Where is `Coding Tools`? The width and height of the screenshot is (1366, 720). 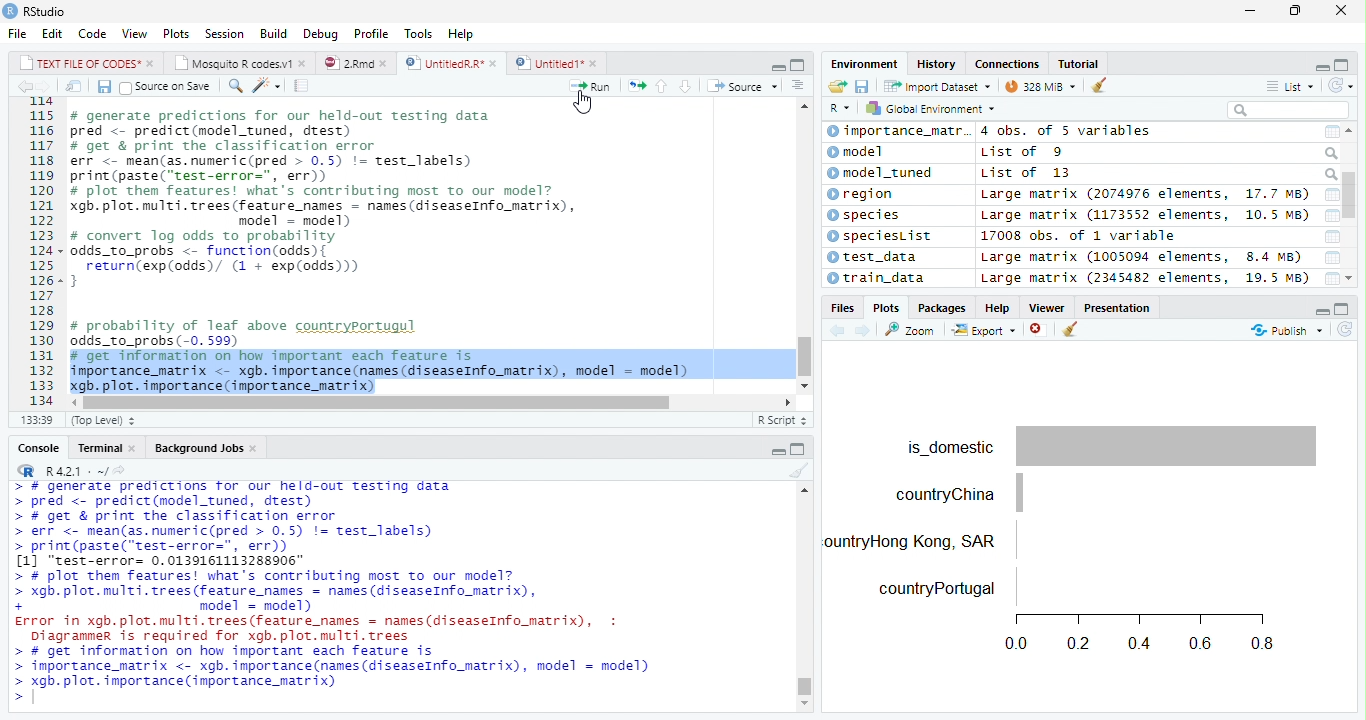
Coding Tools is located at coordinates (266, 84).